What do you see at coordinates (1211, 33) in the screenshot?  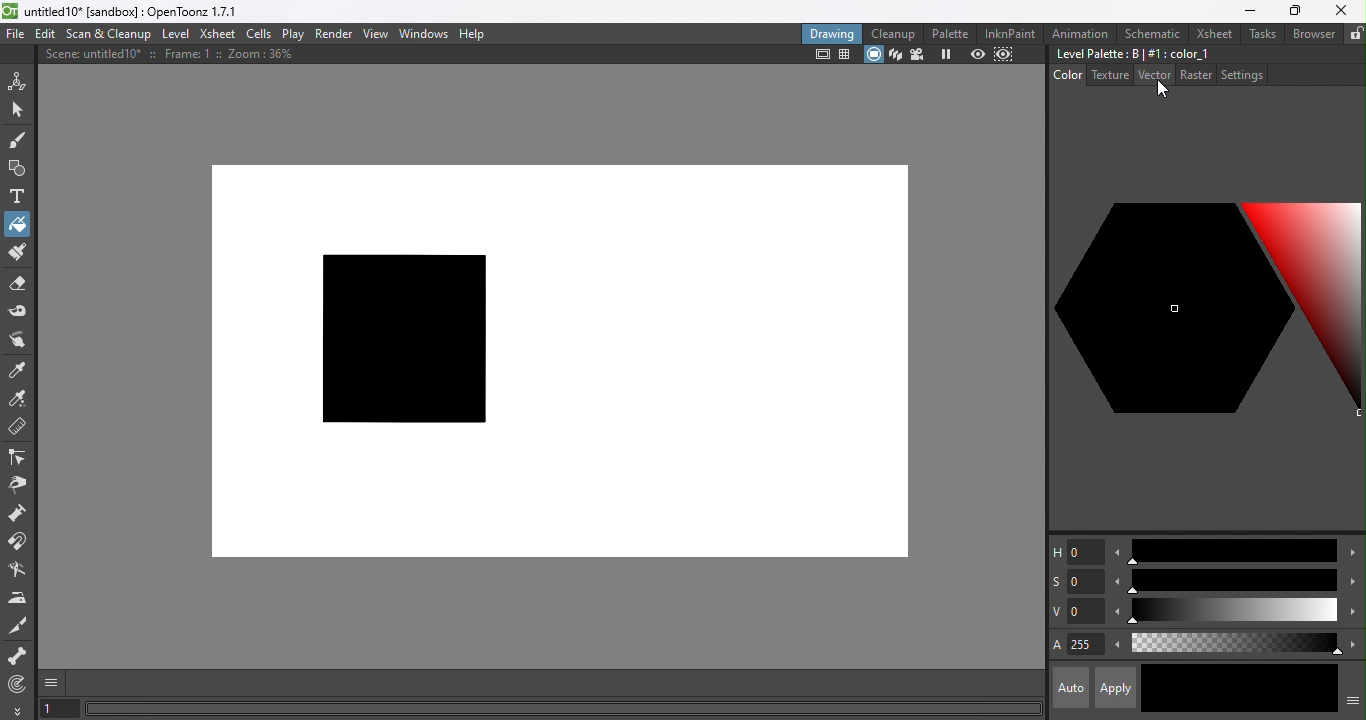 I see `Xsheet` at bounding box center [1211, 33].